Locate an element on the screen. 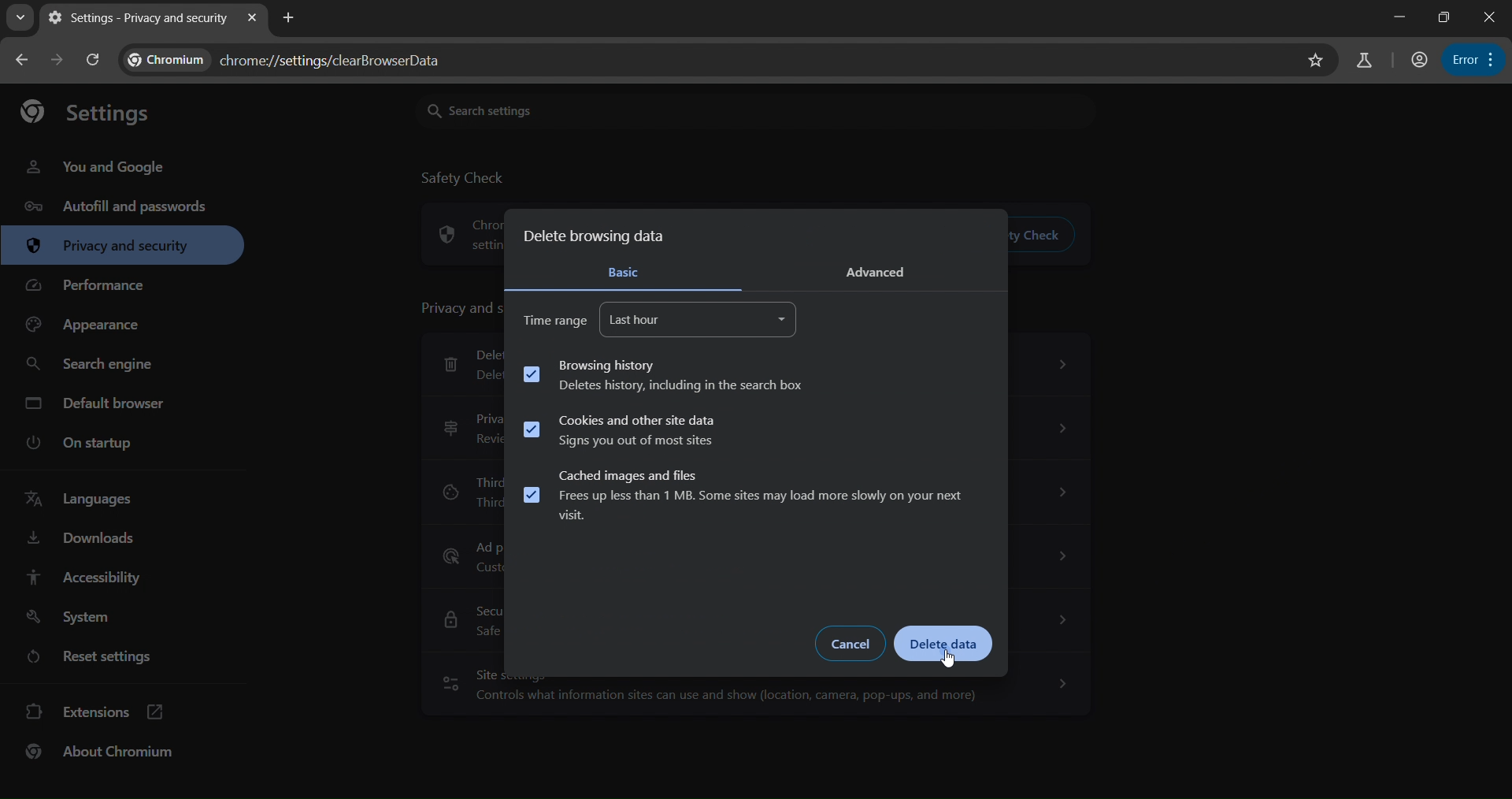  downloads is located at coordinates (80, 539).